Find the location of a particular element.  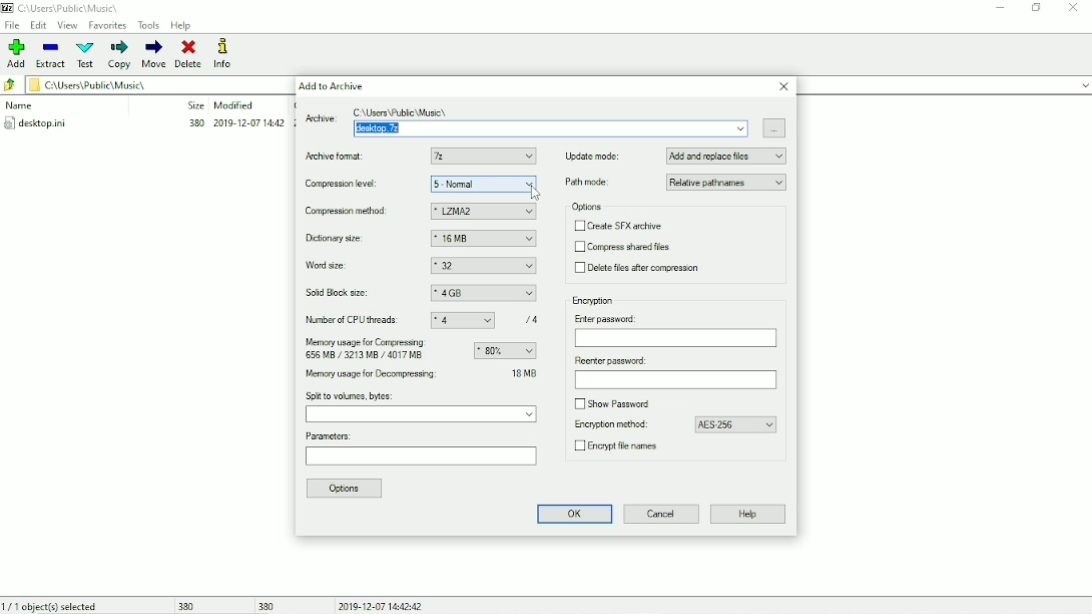

AES-256 is located at coordinates (736, 425).